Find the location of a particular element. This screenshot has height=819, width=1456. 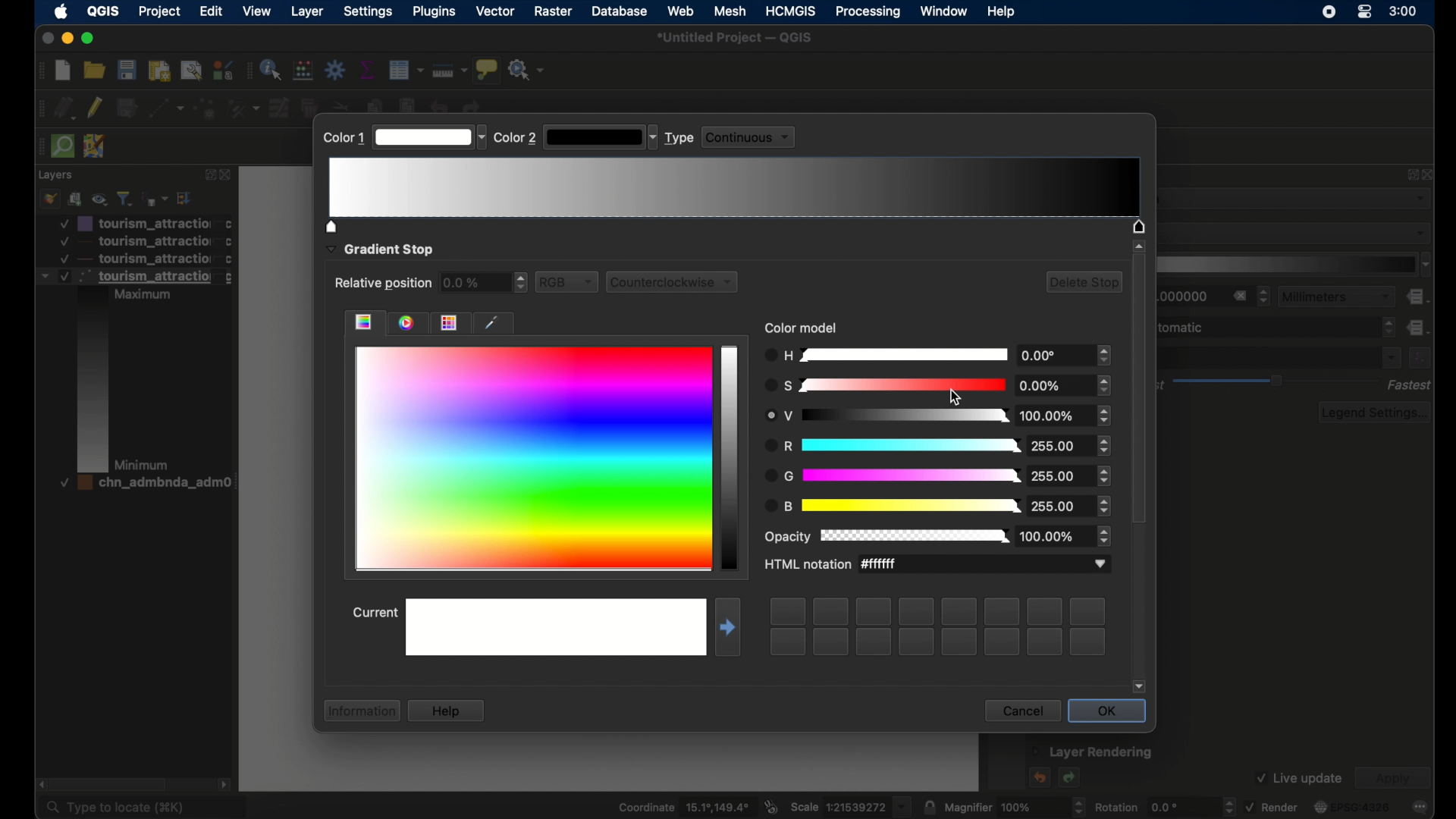

R is located at coordinates (937, 446).